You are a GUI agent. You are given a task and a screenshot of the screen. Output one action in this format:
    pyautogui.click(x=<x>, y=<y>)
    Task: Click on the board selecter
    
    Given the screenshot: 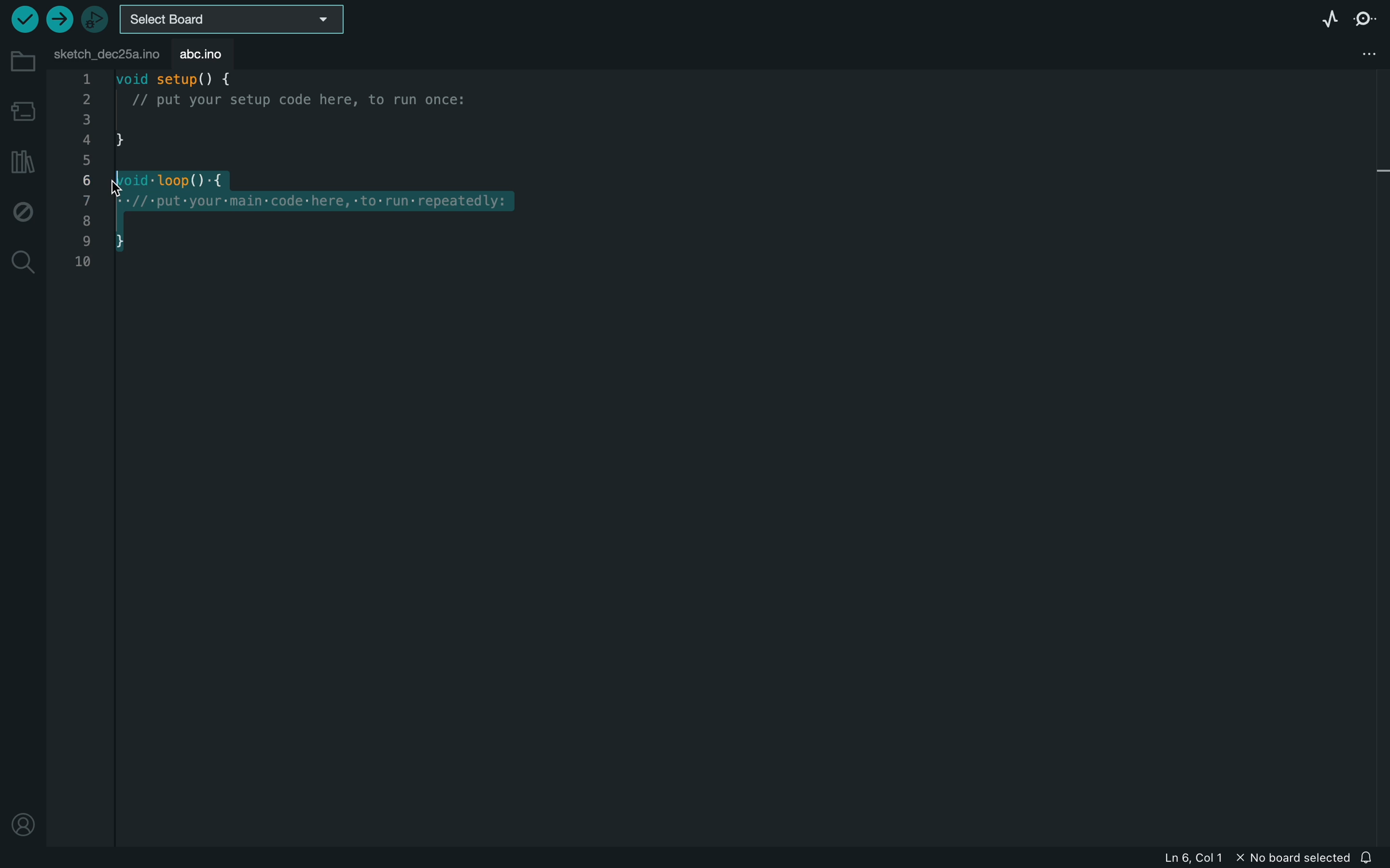 What is the action you would take?
    pyautogui.click(x=234, y=18)
    